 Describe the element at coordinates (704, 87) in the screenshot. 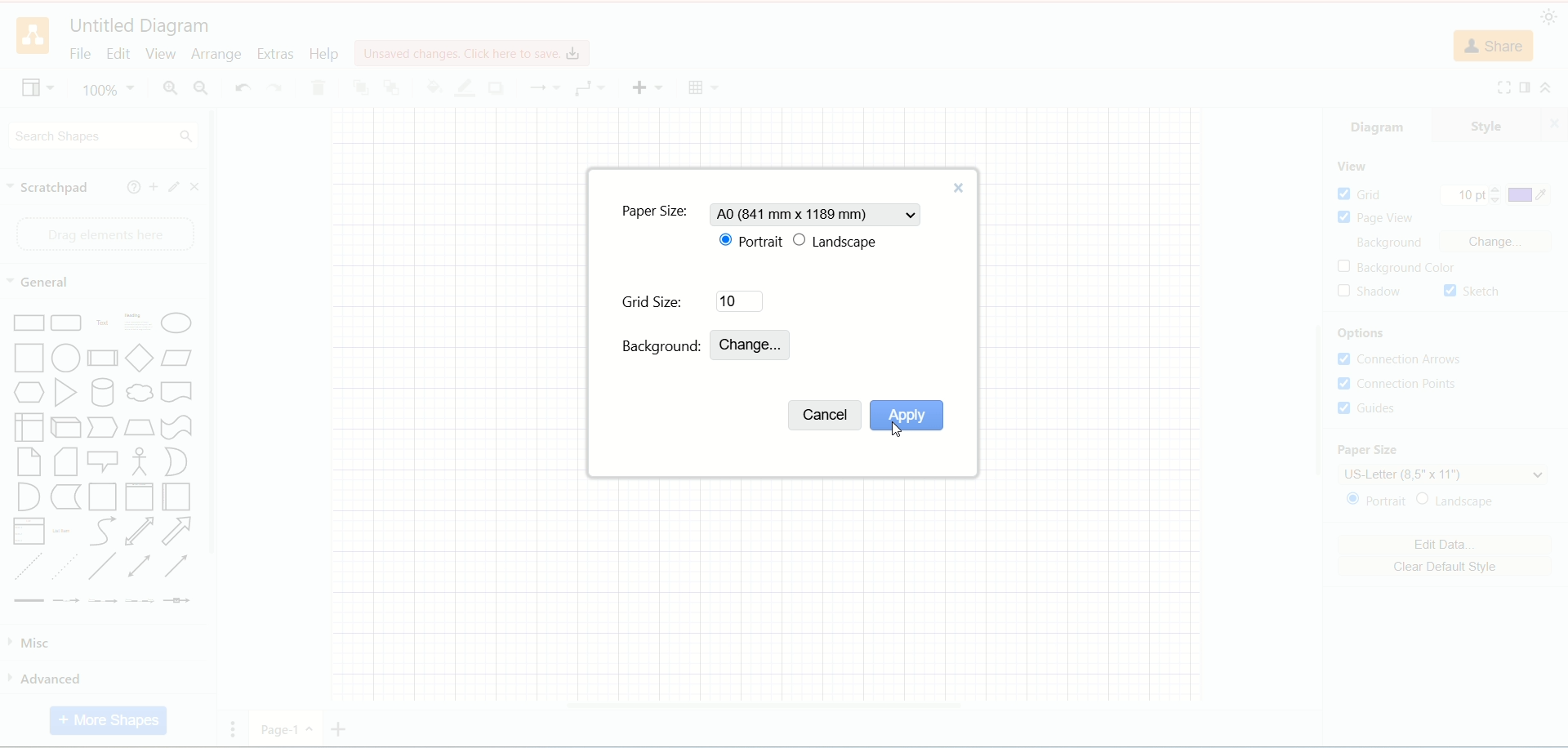

I see `Table` at that location.